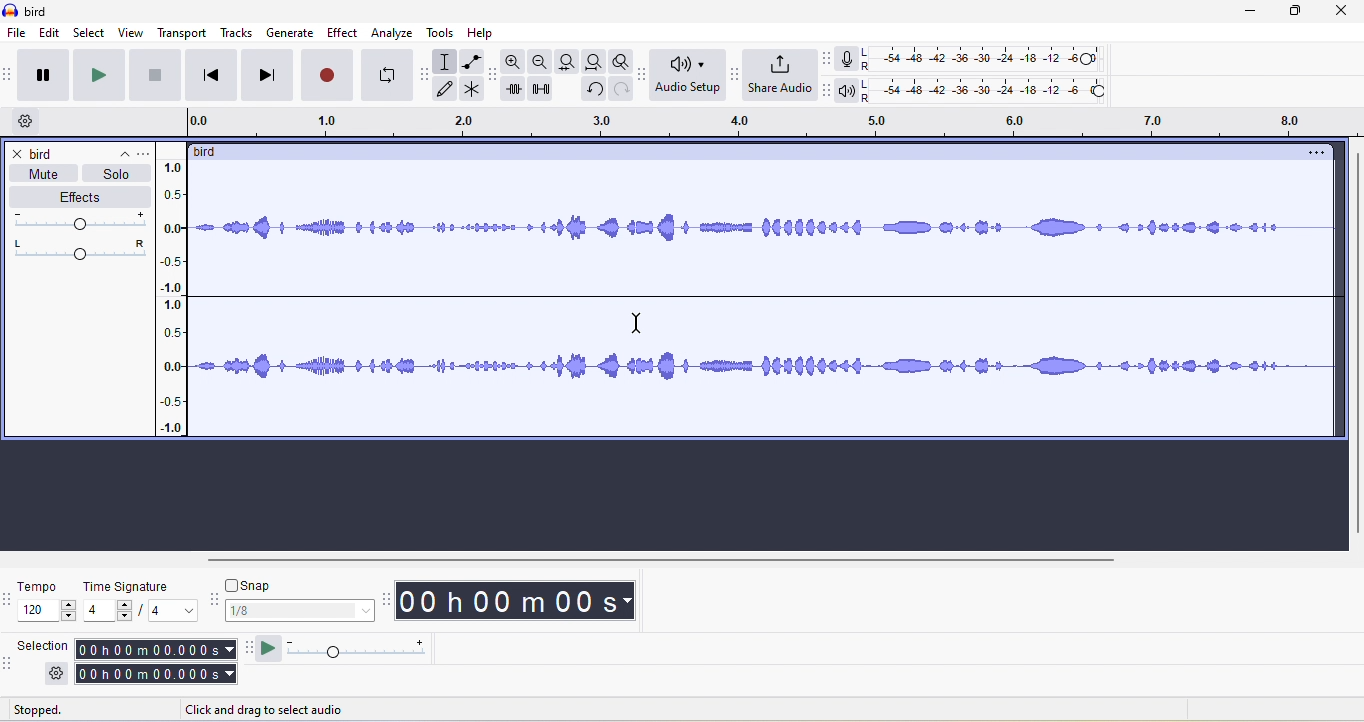 This screenshot has height=722, width=1364. Describe the element at coordinates (515, 64) in the screenshot. I see `zoom in` at that location.